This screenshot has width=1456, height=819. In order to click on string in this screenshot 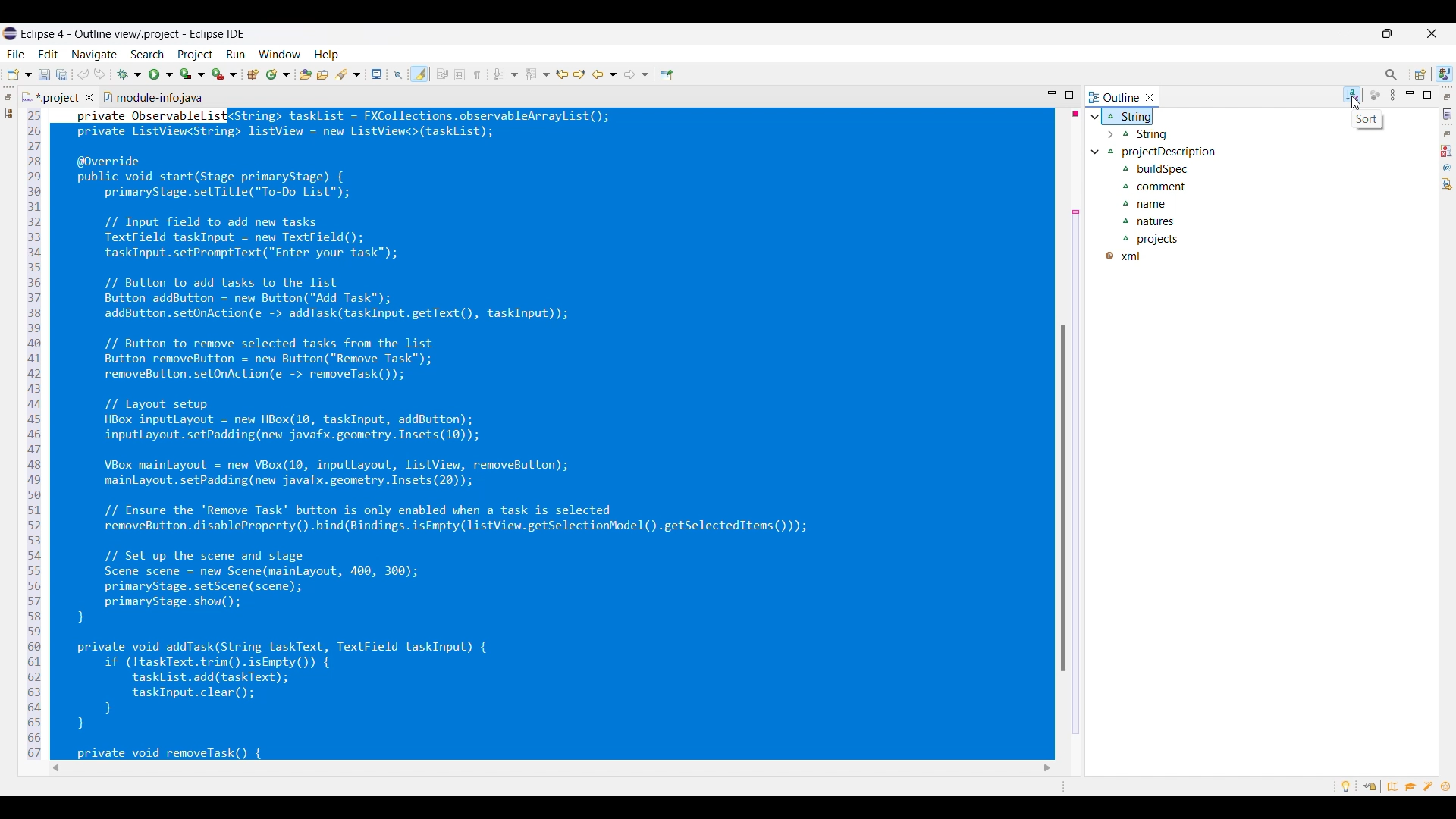, I will do `click(1145, 118)`.